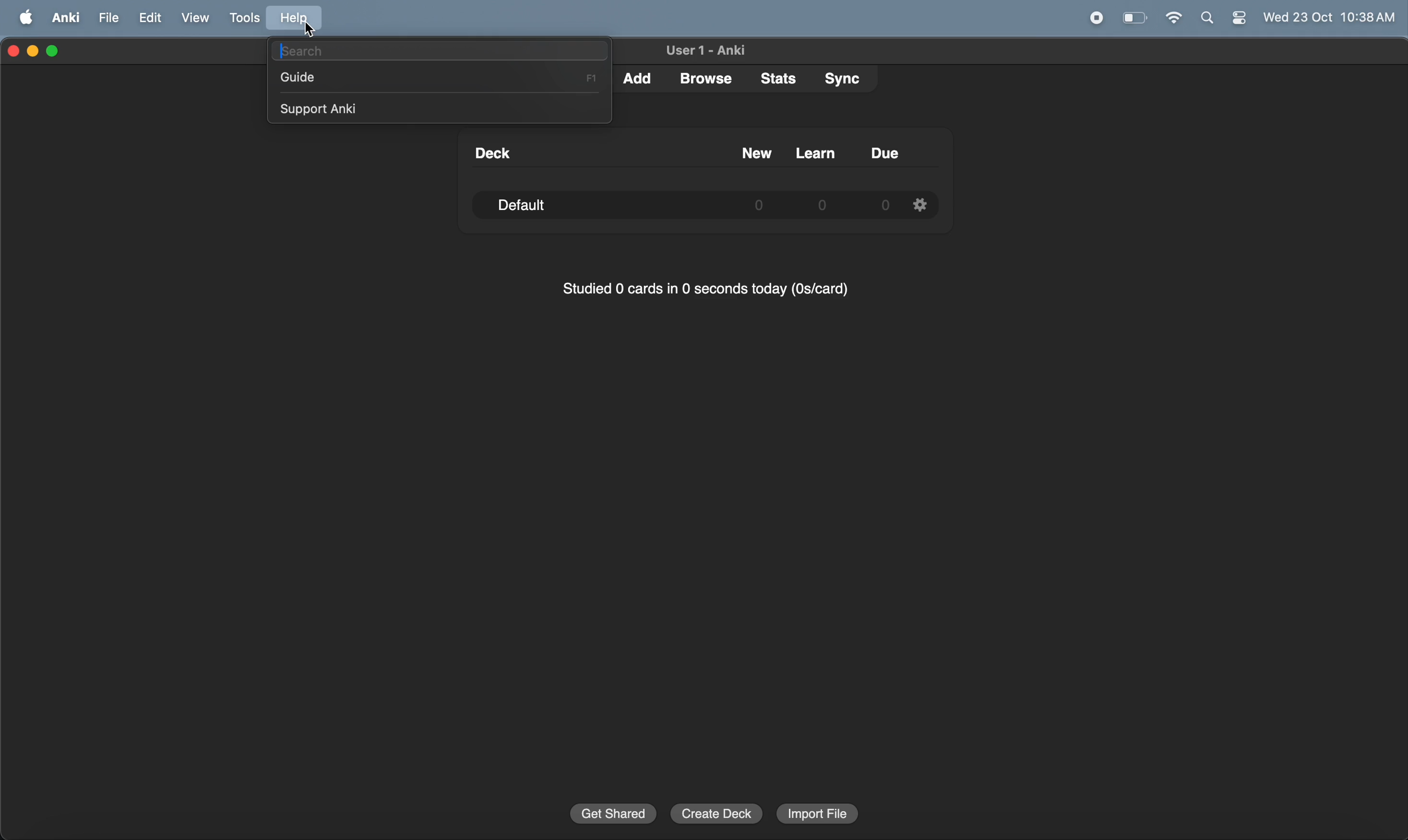 The image size is (1408, 840). Describe the element at coordinates (705, 51) in the screenshot. I see `uer title anki` at that location.